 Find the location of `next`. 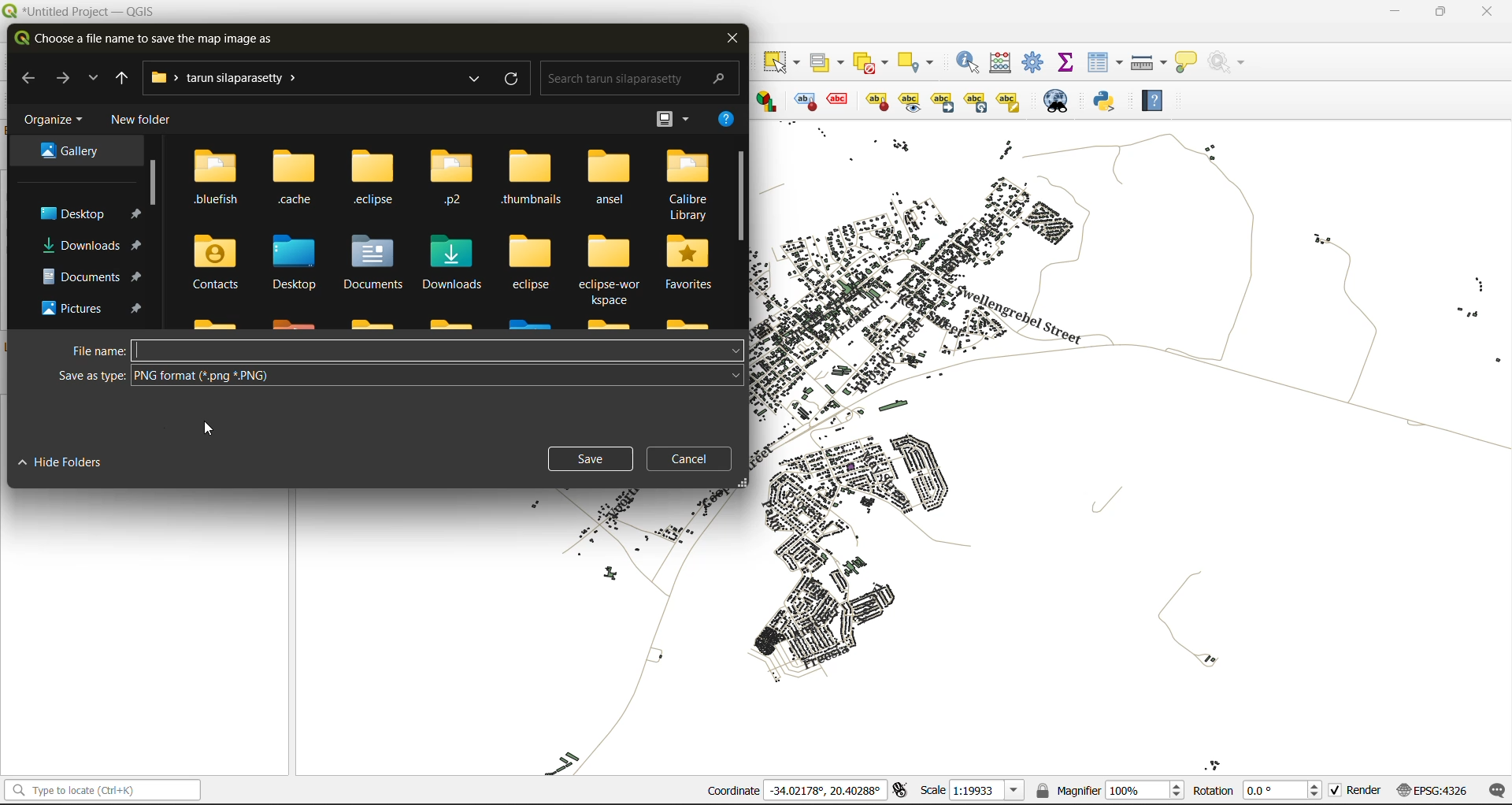

next is located at coordinates (66, 78).